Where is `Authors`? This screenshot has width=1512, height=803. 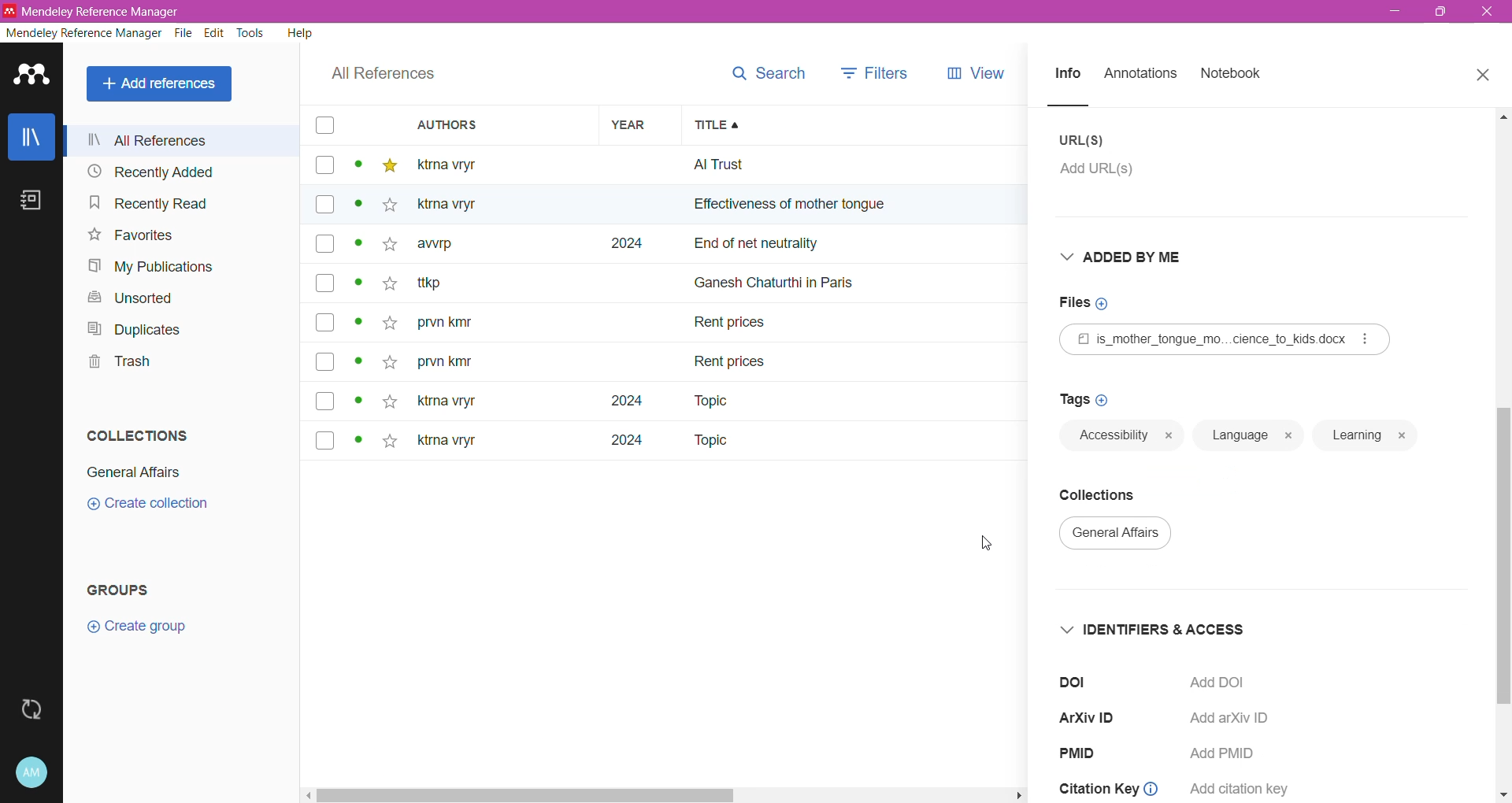
Authors is located at coordinates (486, 124).